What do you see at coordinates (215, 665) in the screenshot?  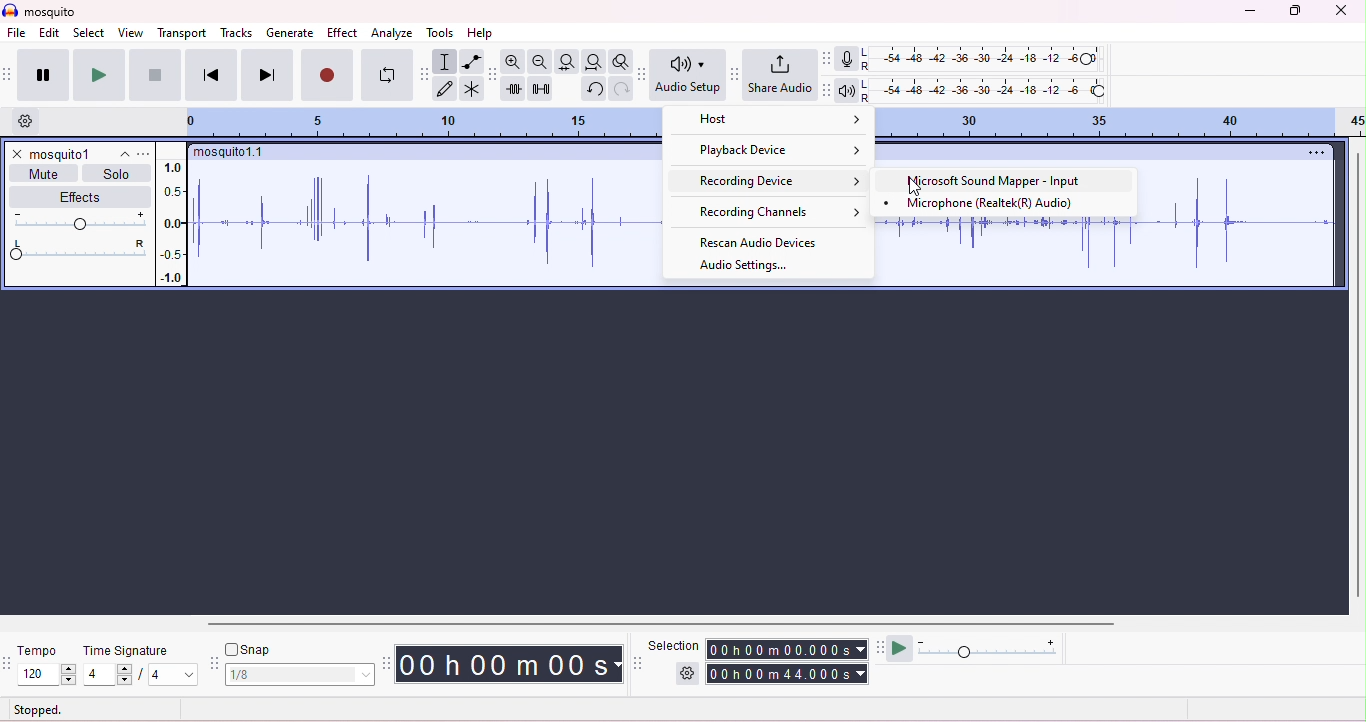 I see `snap tool bar` at bounding box center [215, 665].